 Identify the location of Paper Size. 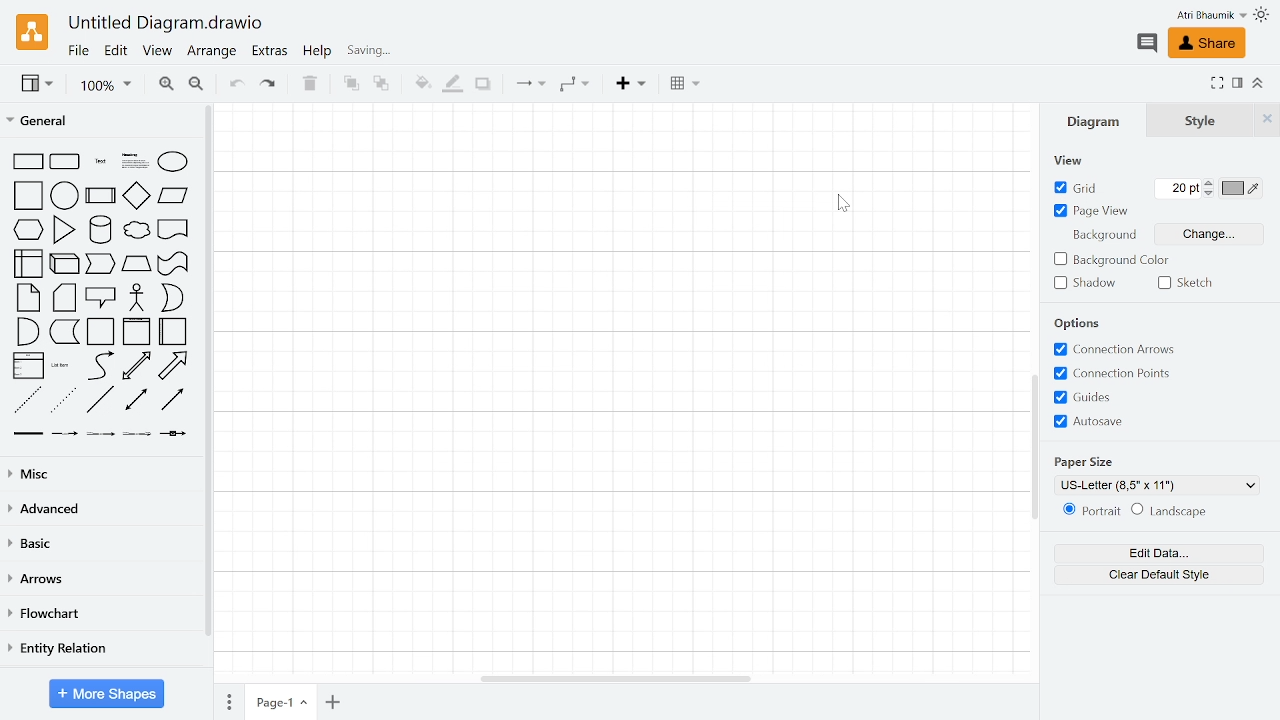
(1084, 461).